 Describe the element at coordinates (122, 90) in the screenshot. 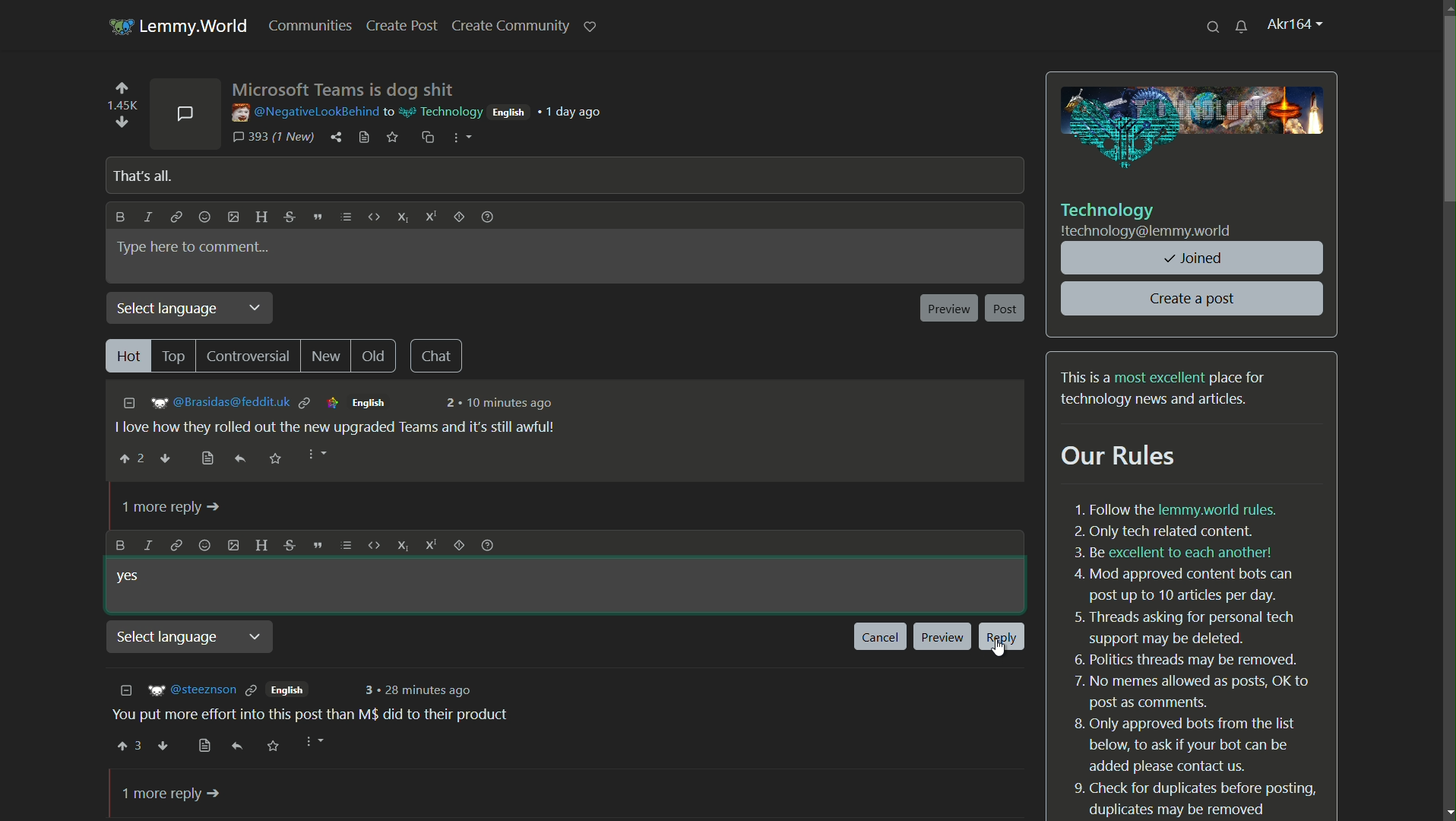

I see `upvote` at that location.